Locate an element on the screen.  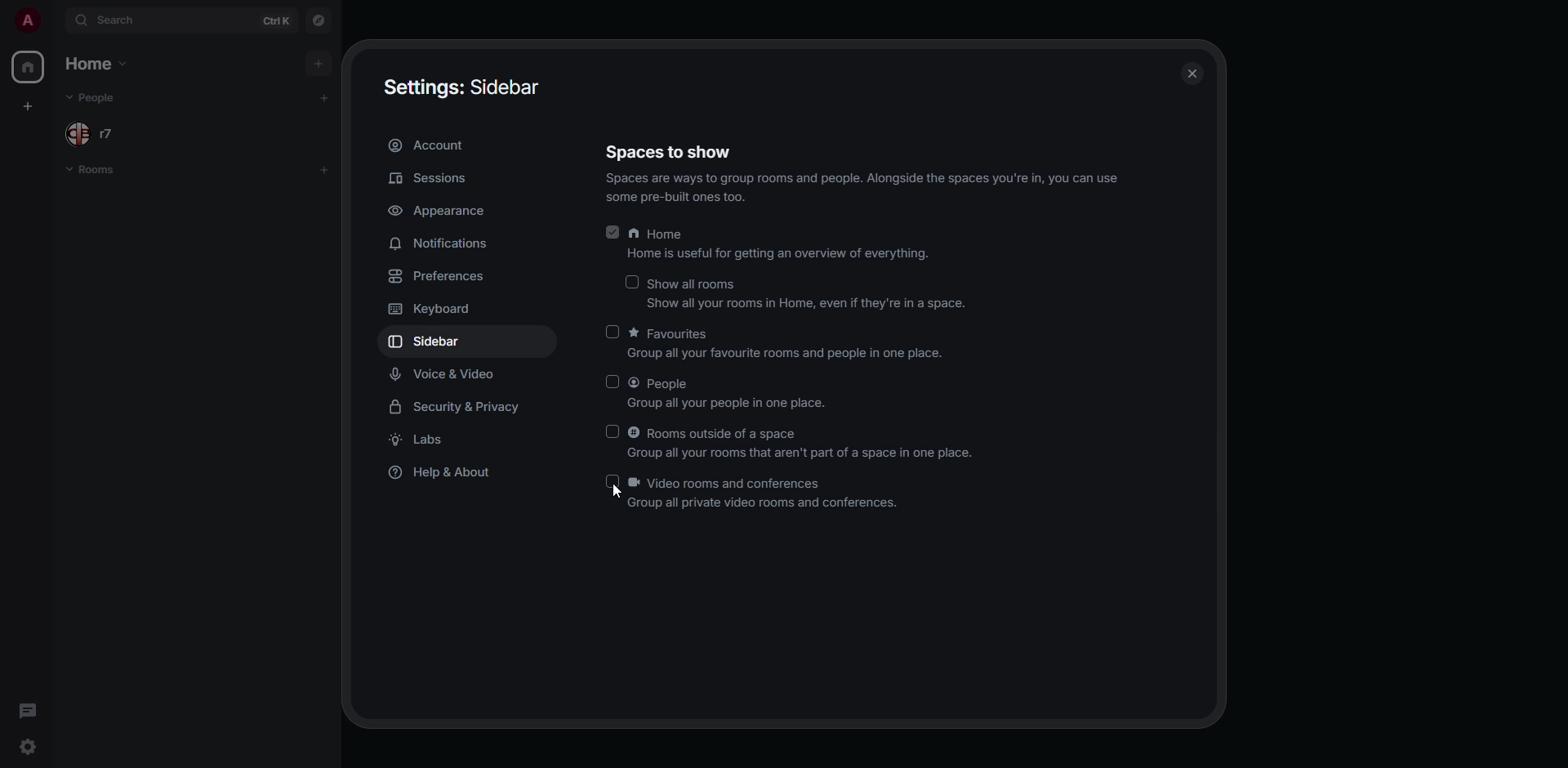
search is located at coordinates (120, 21).